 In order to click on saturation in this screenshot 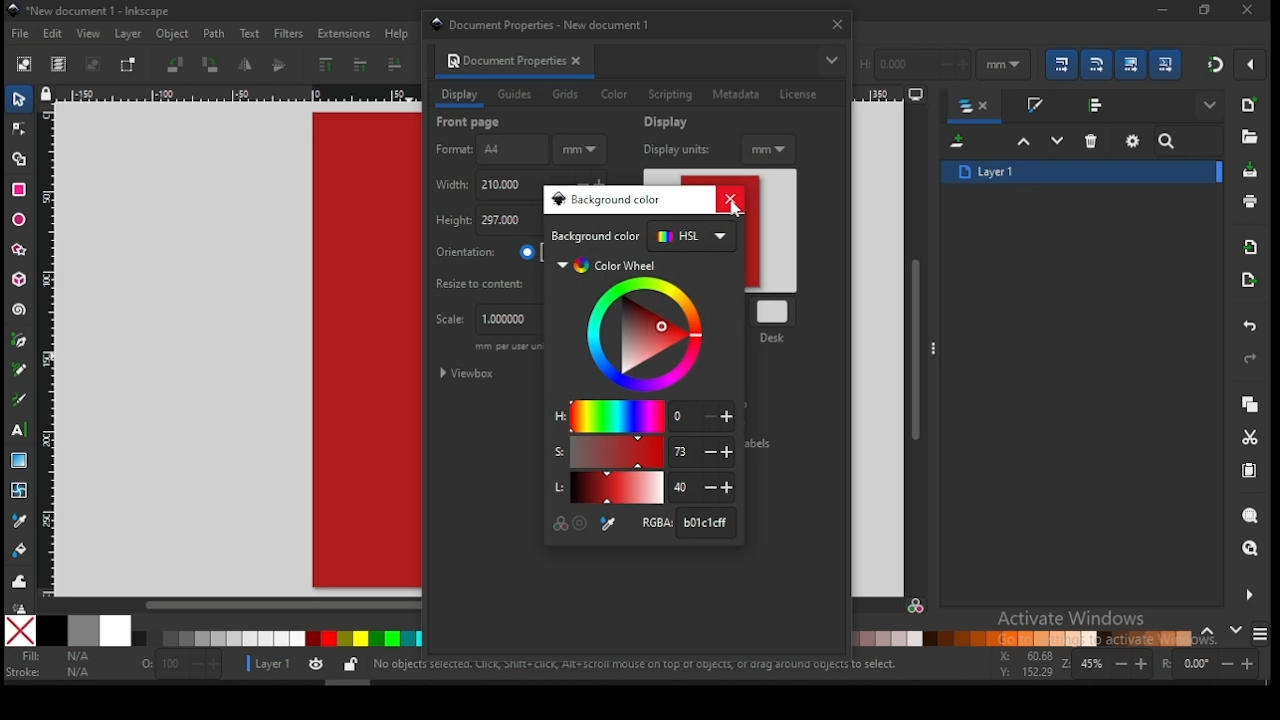, I will do `click(641, 452)`.